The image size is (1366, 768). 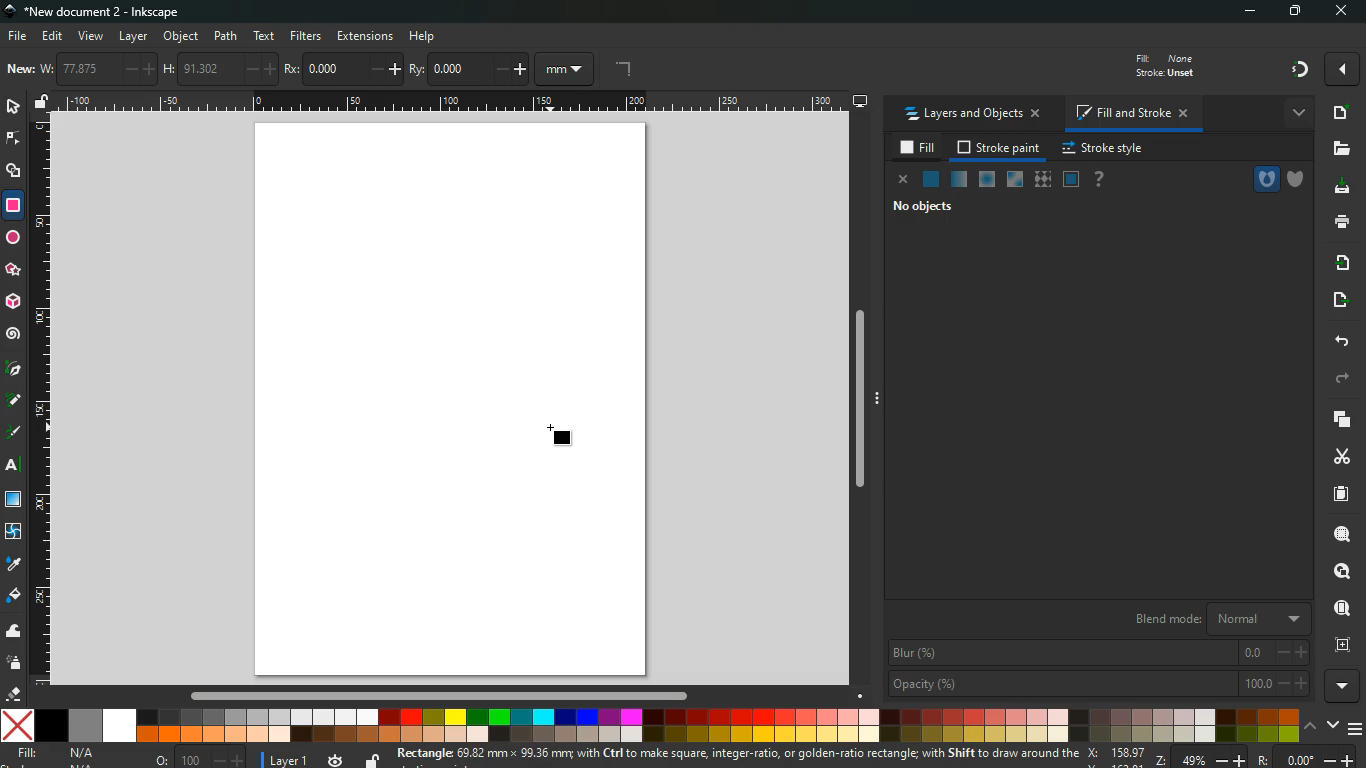 What do you see at coordinates (58, 757) in the screenshot?
I see `fill` at bounding box center [58, 757].